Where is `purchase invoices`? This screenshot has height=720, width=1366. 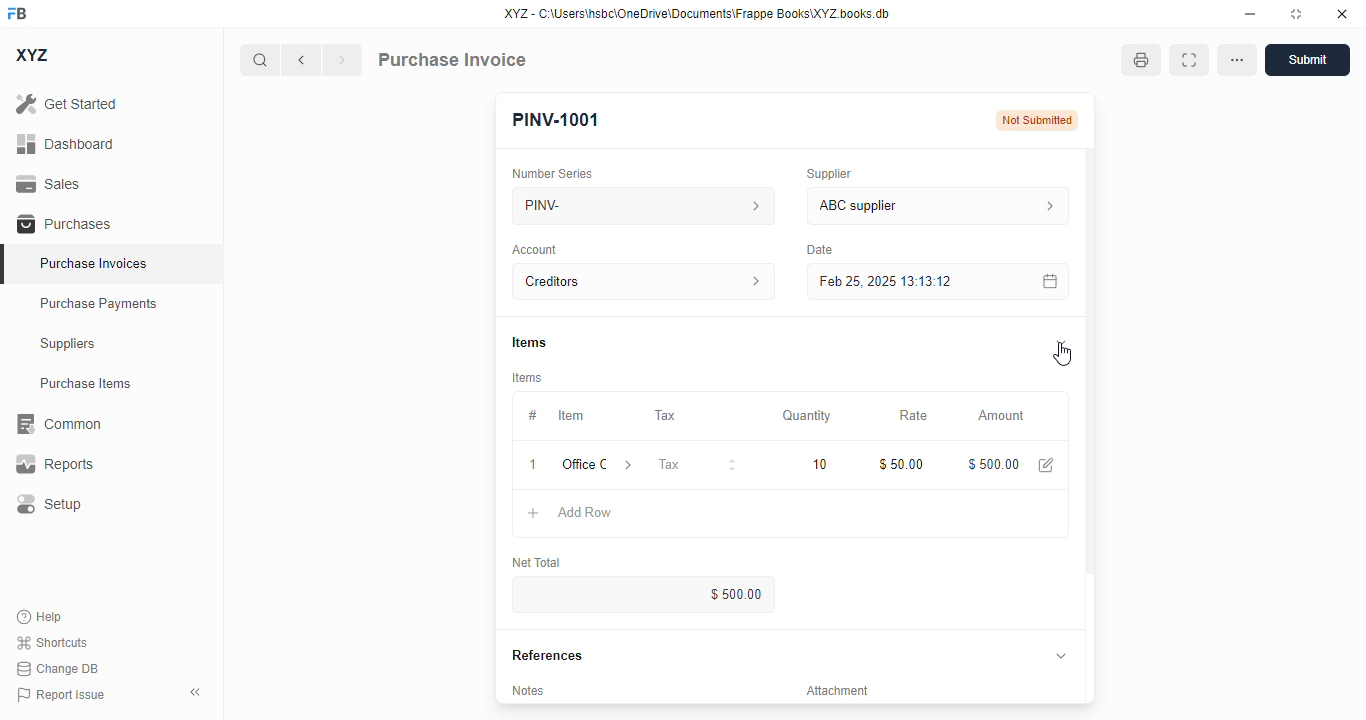
purchase invoices is located at coordinates (96, 263).